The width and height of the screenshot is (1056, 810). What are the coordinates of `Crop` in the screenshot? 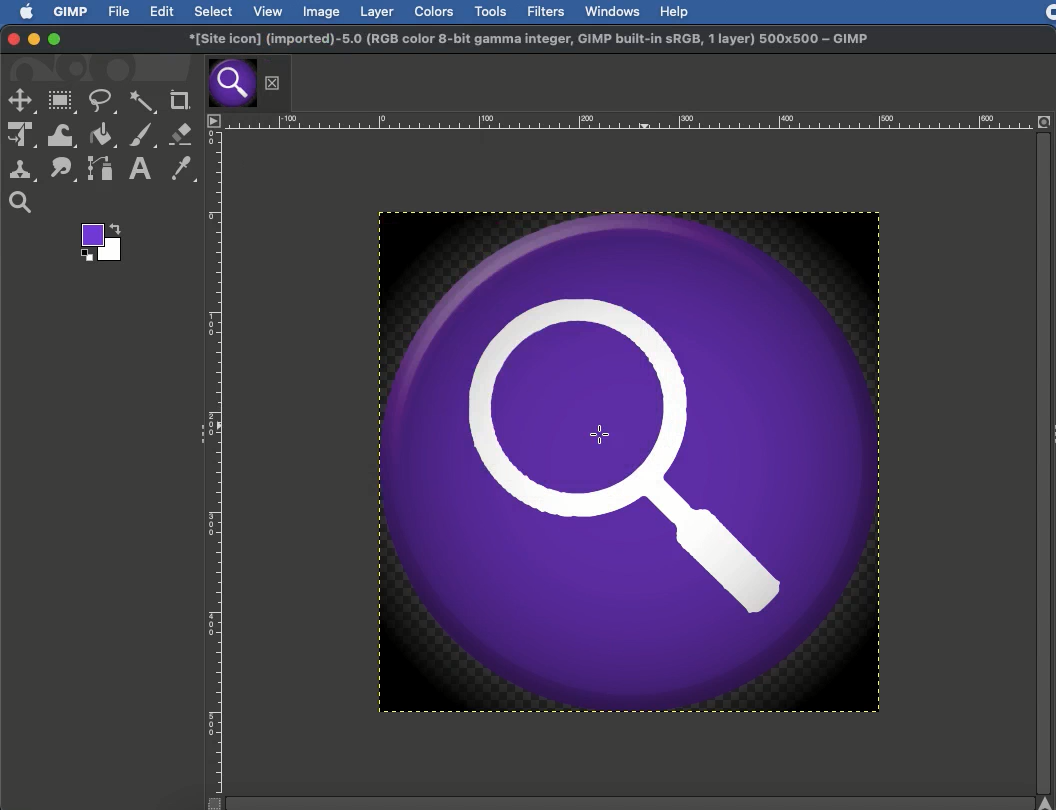 It's located at (178, 98).